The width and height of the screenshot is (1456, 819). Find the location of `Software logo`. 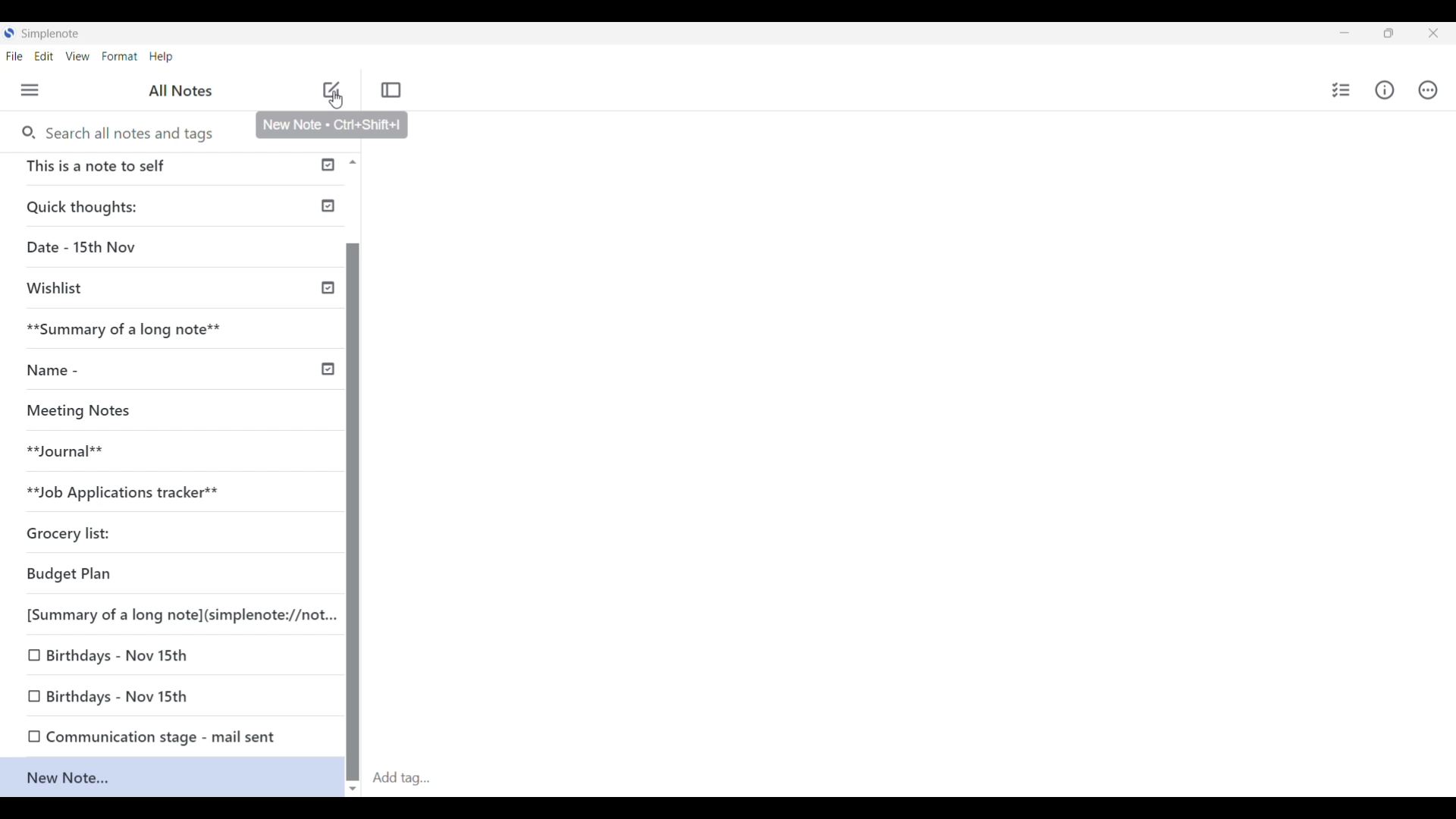

Software logo is located at coordinates (8, 33).